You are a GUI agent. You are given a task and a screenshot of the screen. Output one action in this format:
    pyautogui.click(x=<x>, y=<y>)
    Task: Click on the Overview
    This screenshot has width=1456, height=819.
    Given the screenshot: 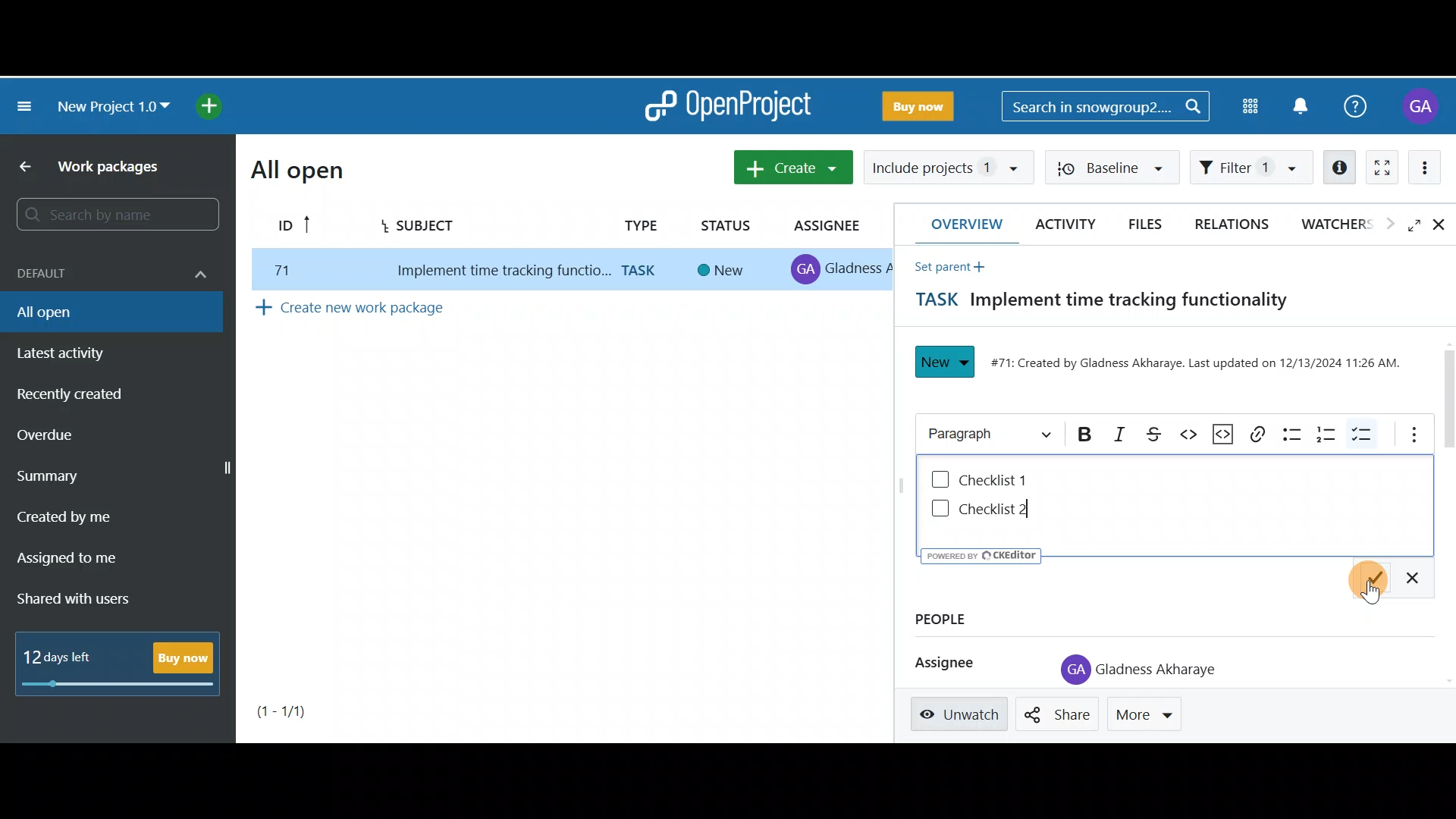 What is the action you would take?
    pyautogui.click(x=960, y=224)
    